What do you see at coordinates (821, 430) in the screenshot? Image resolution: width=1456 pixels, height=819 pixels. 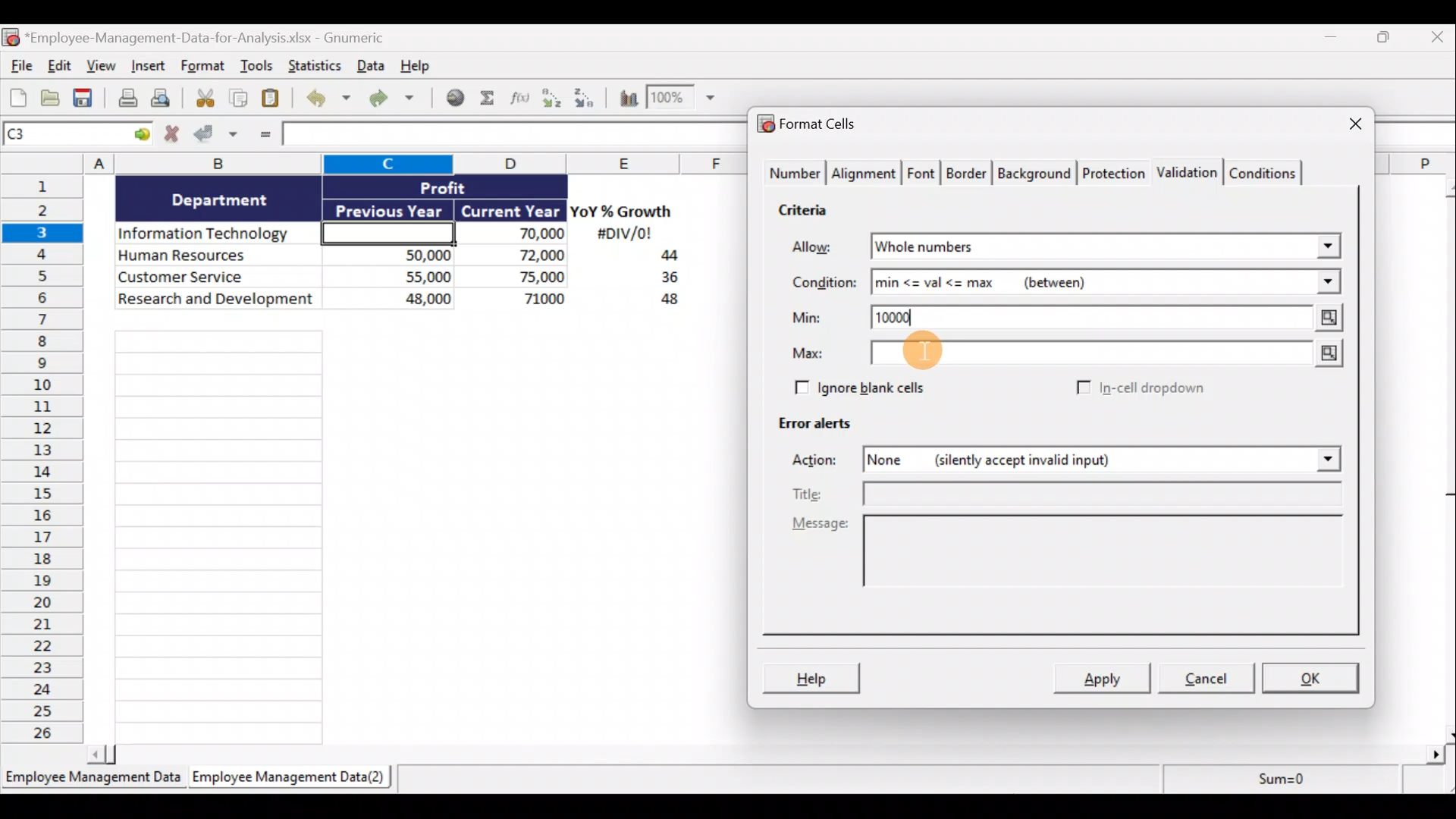 I see `Error alerts` at bounding box center [821, 430].